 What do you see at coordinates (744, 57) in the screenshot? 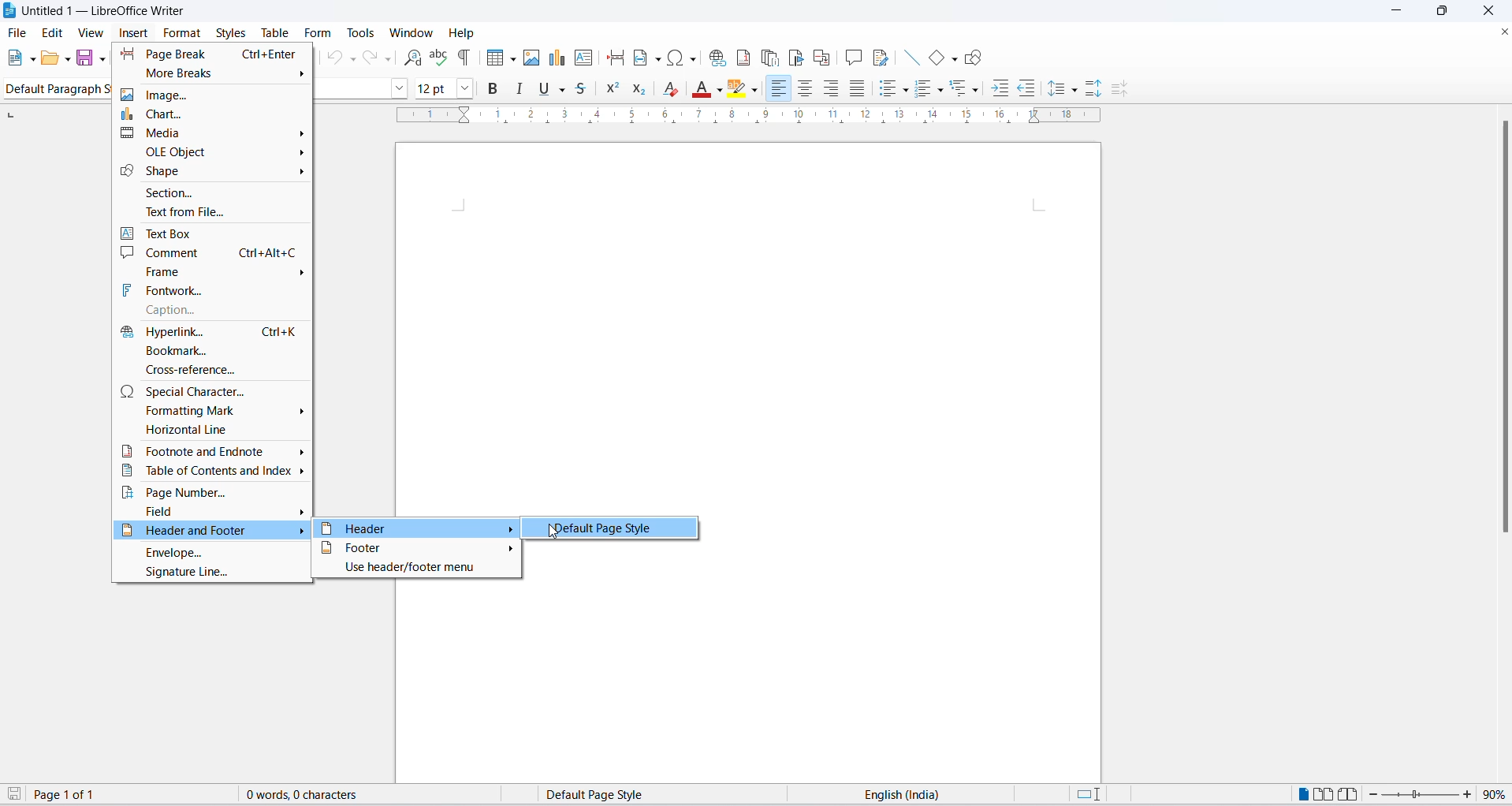
I see `insert footnote` at bounding box center [744, 57].